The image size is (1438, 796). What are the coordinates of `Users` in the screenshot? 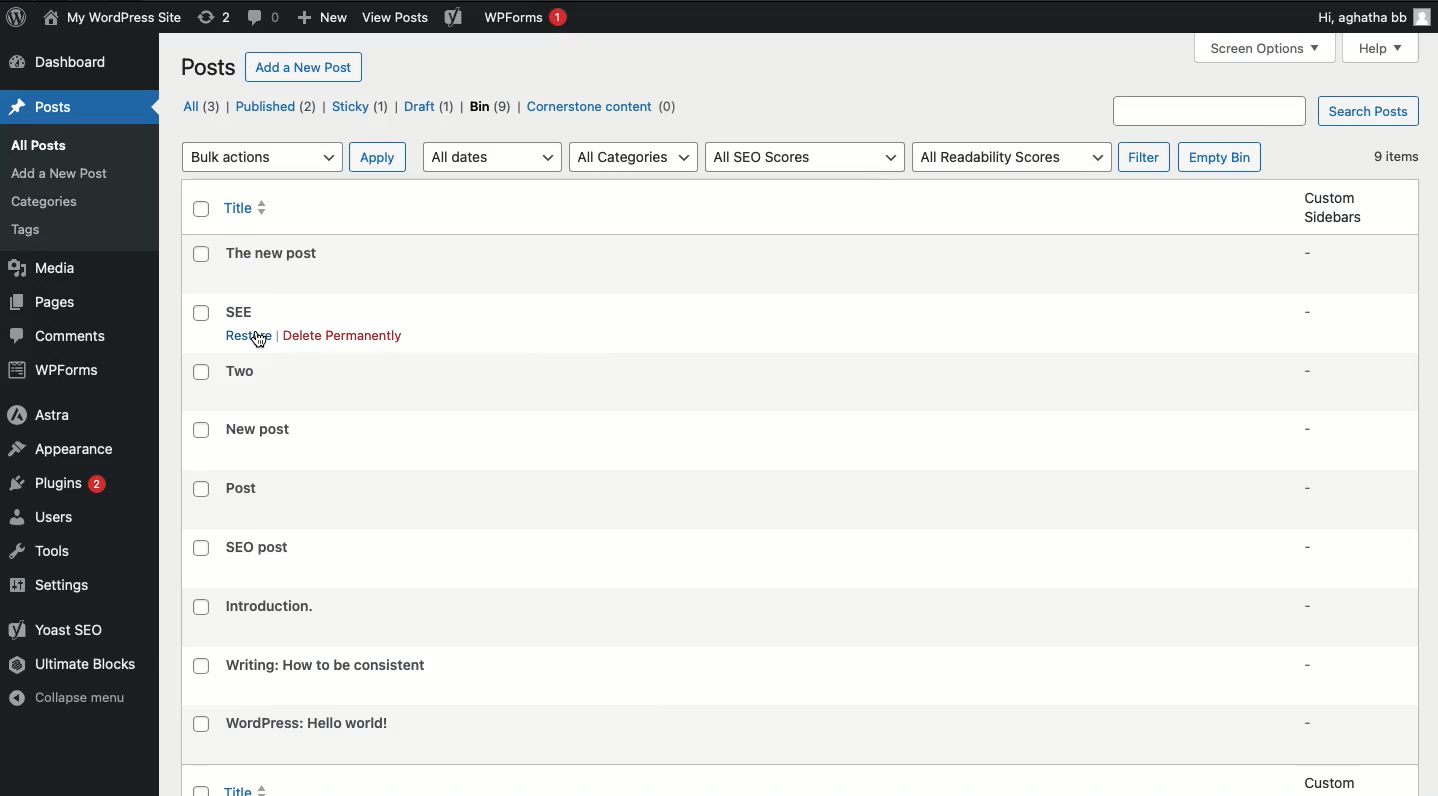 It's located at (44, 518).